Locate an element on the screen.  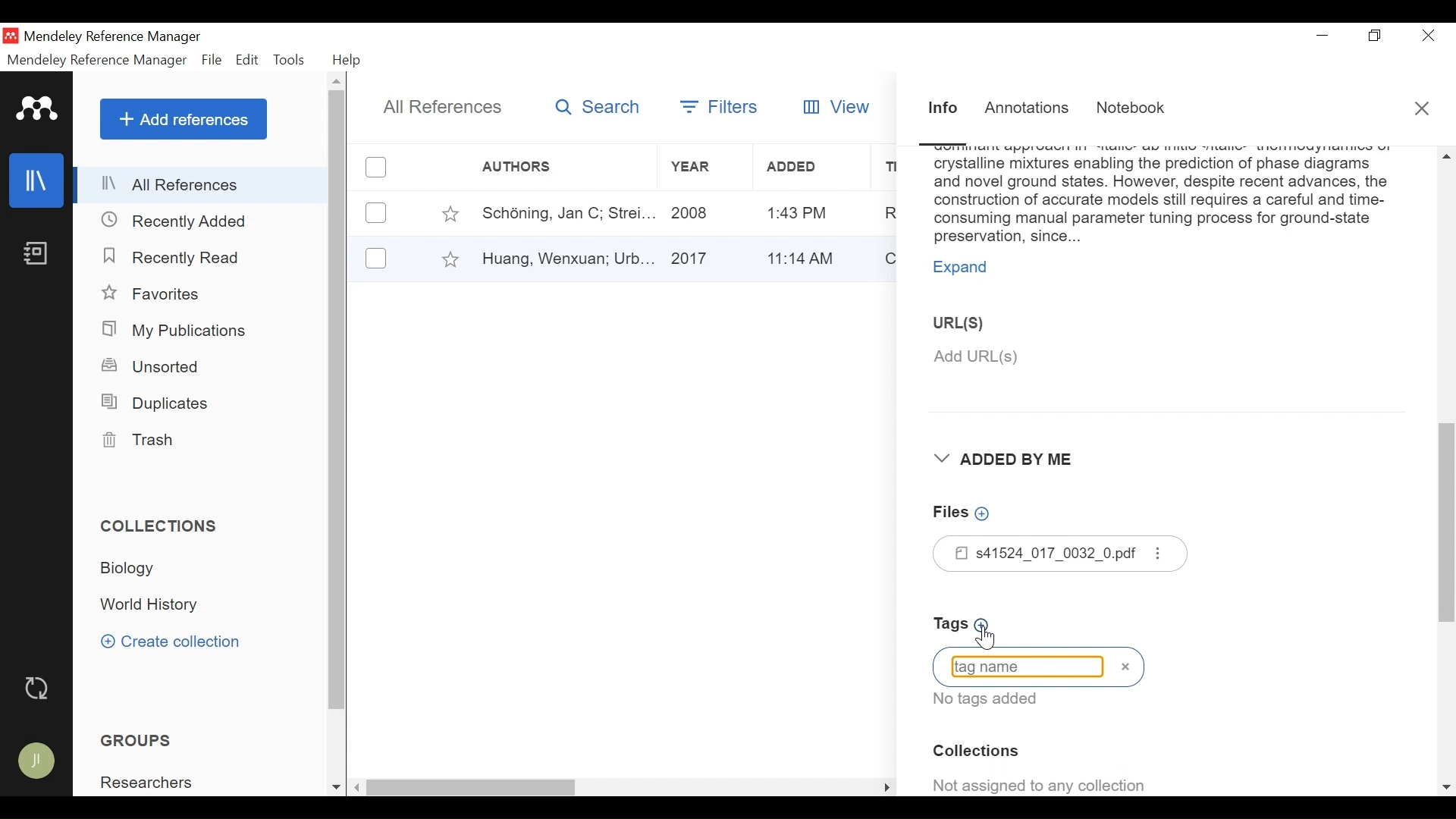
Collections is located at coordinates (161, 526).